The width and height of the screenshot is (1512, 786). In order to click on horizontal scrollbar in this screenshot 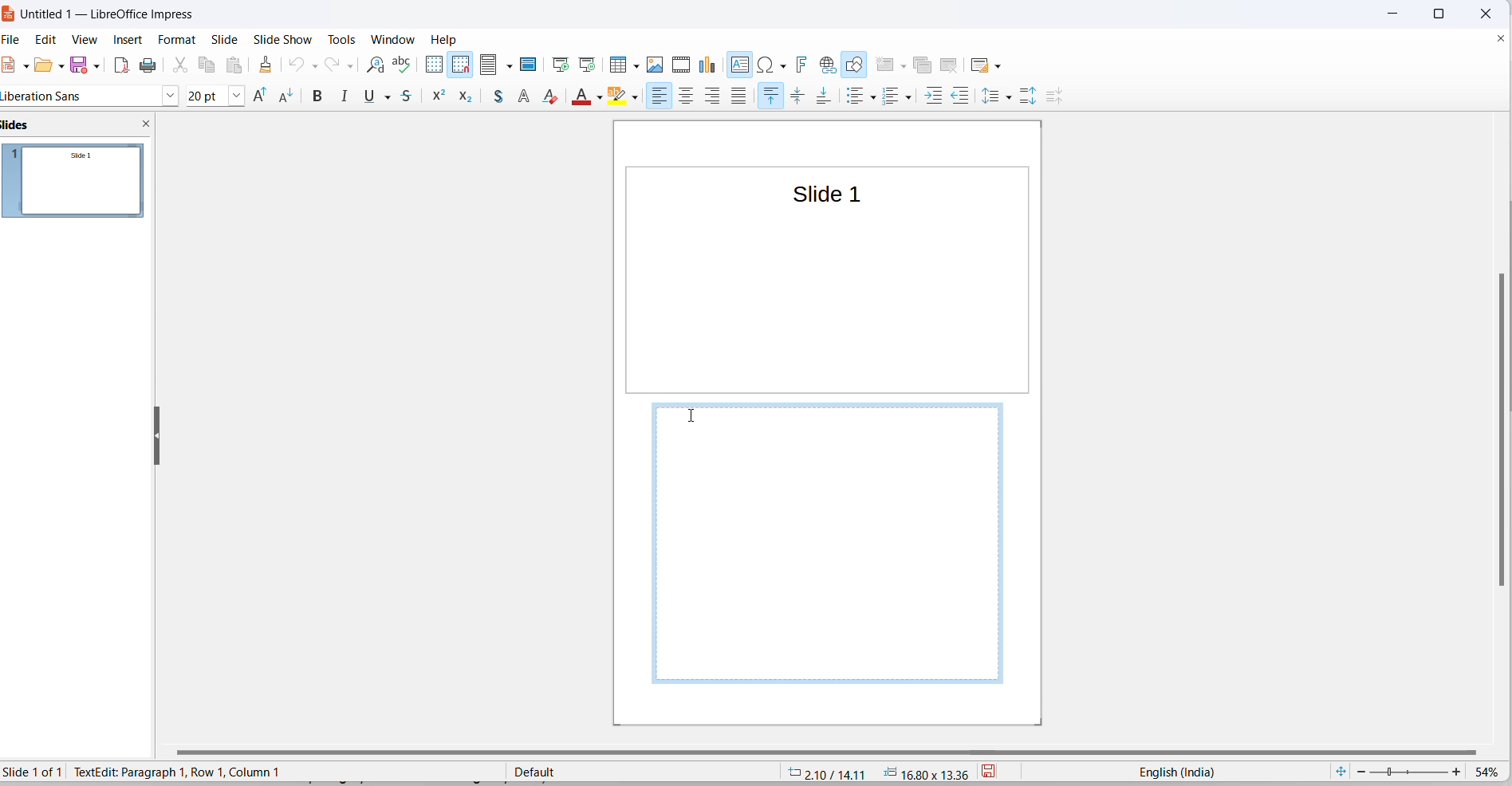, I will do `click(838, 755)`.